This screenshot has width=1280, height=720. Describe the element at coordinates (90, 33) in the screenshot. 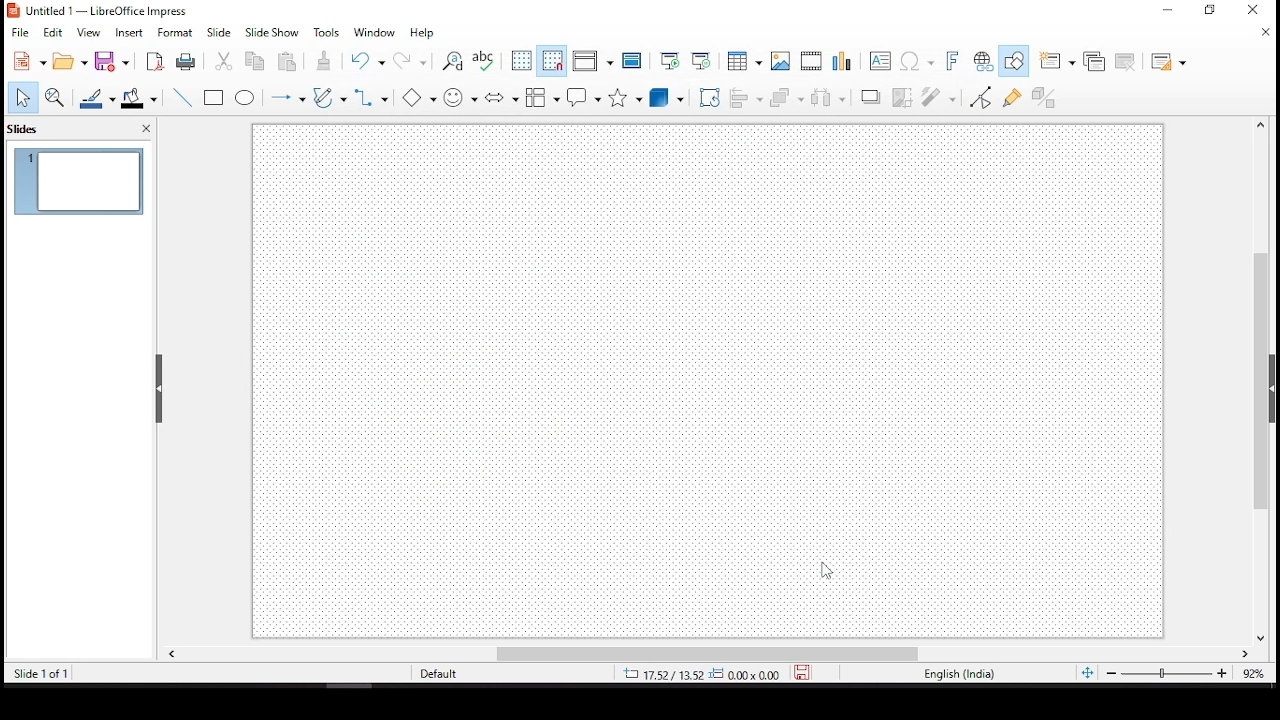

I see `view` at that location.